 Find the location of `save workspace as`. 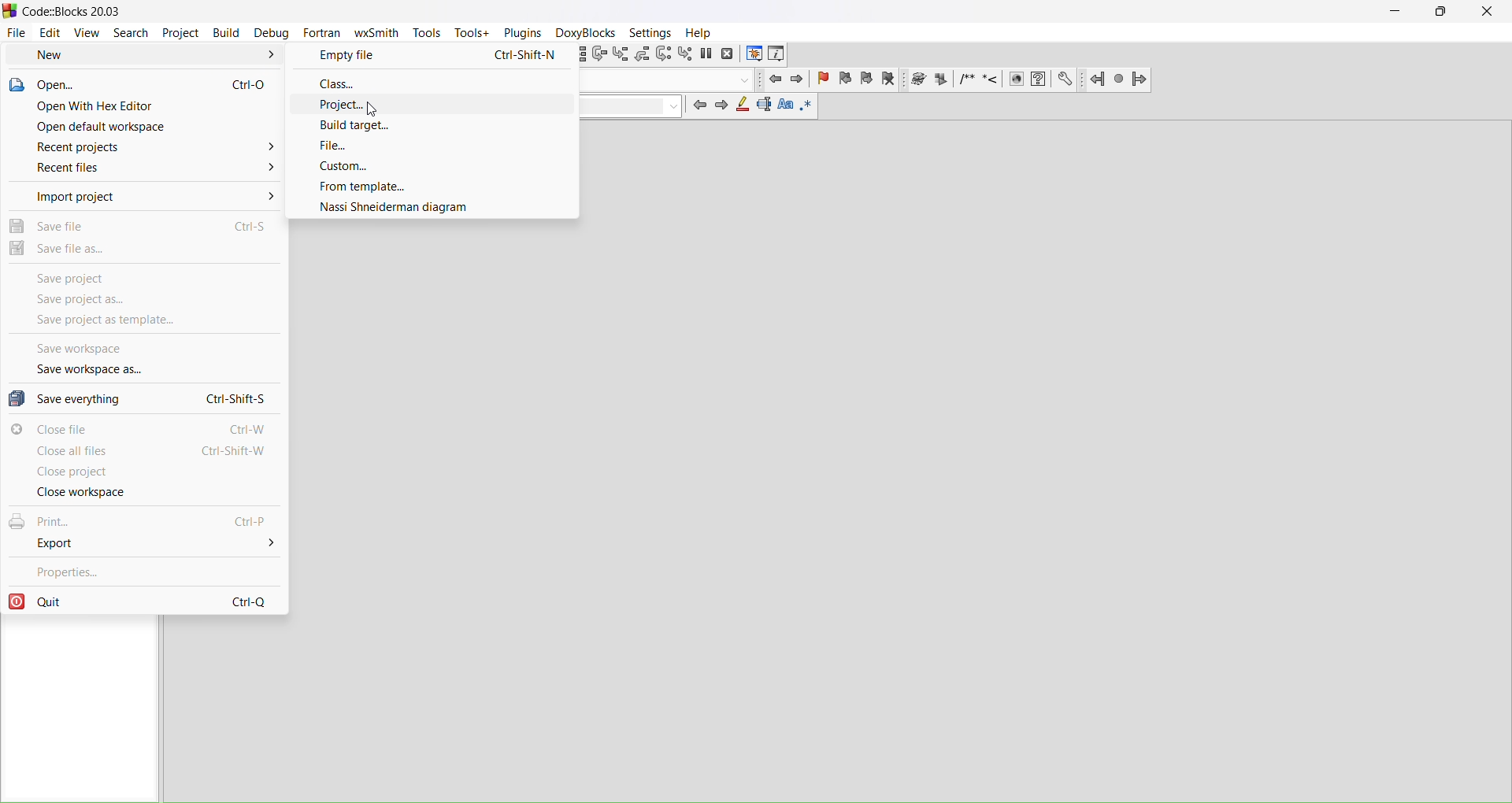

save workspace as is located at coordinates (143, 371).